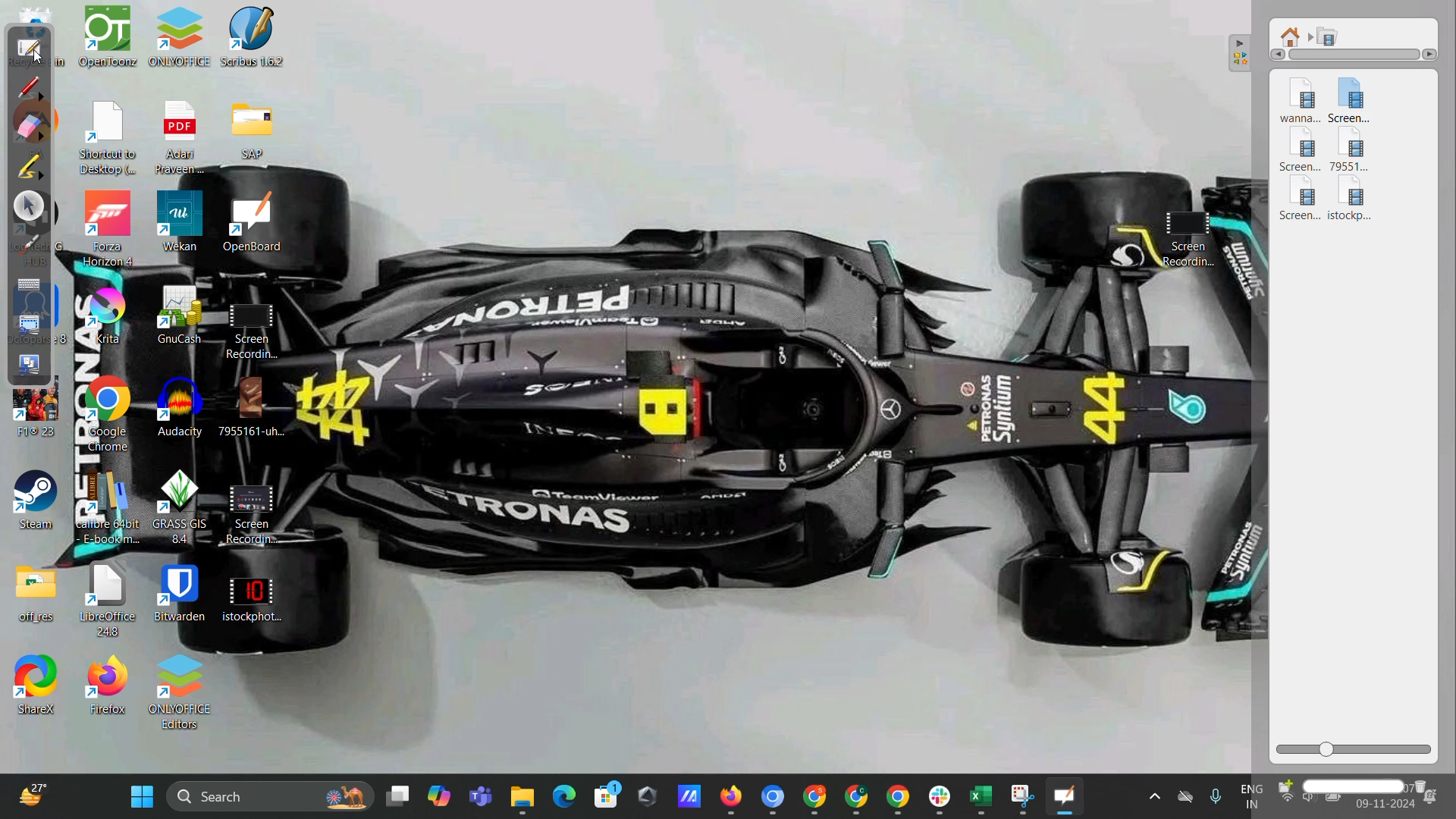 Image resolution: width=1456 pixels, height=819 pixels. Describe the element at coordinates (1358, 152) in the screenshot. I see `video 4` at that location.